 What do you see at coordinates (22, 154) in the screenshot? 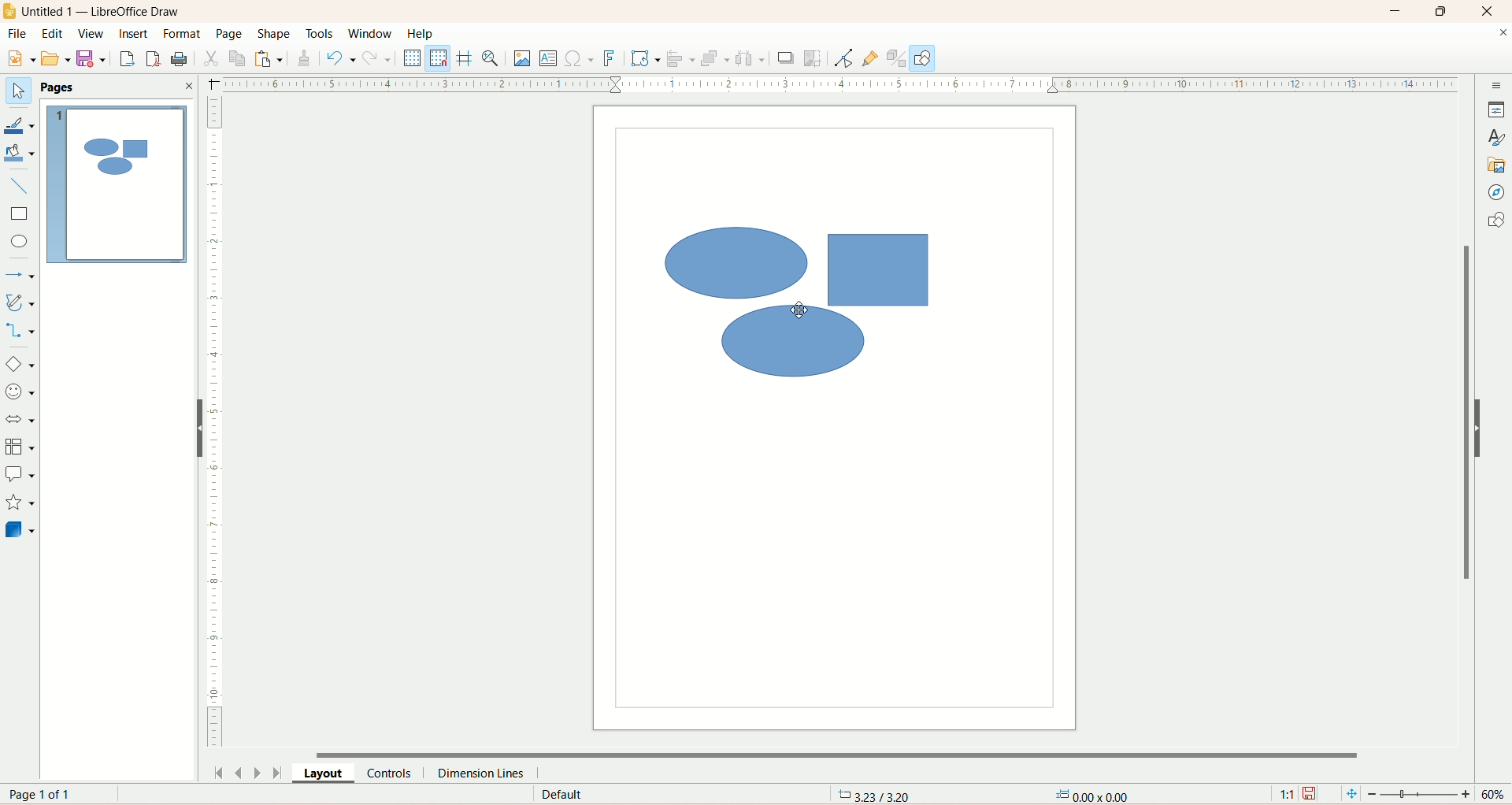
I see `fill color` at bounding box center [22, 154].